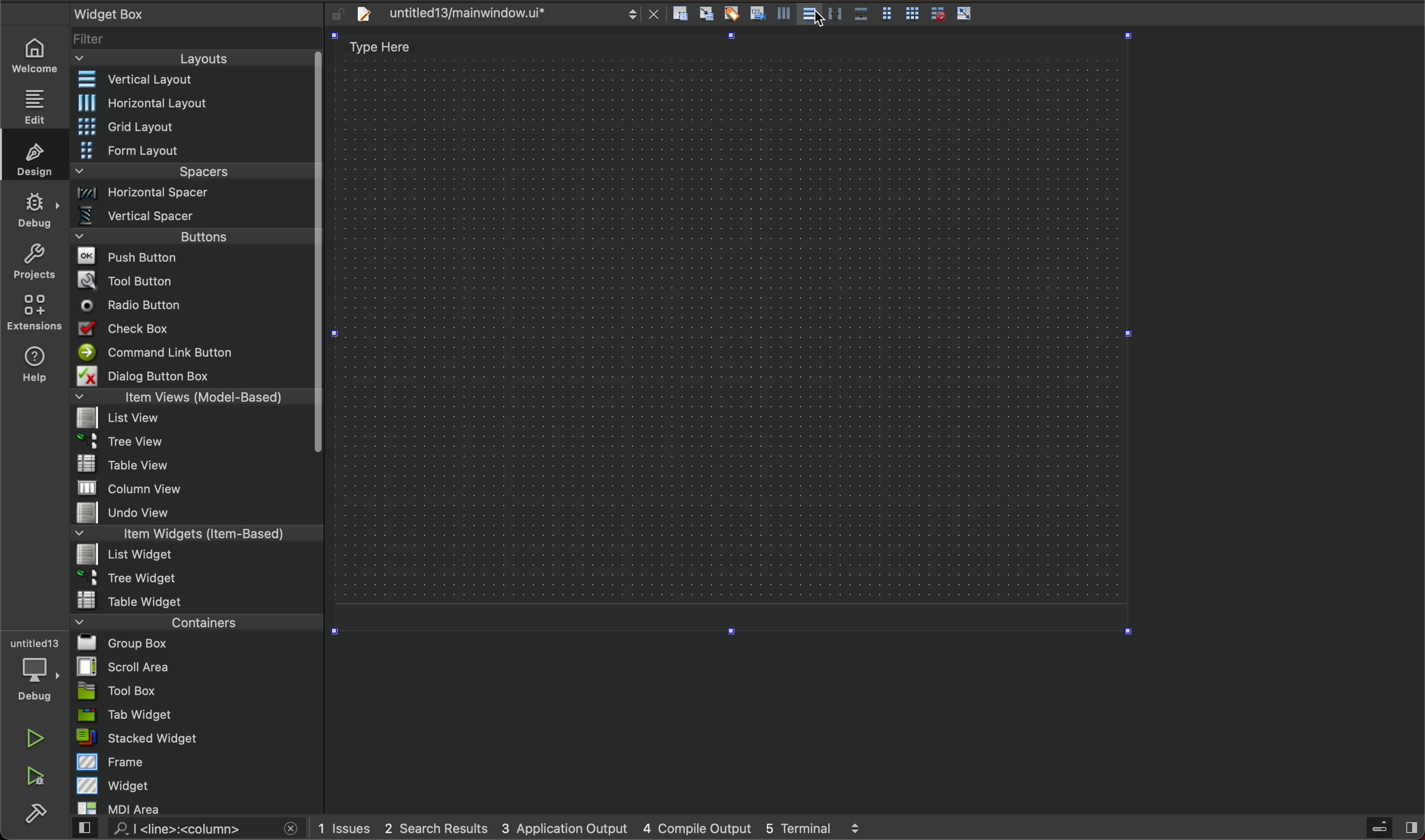  Describe the element at coordinates (36, 312) in the screenshot. I see `extensions` at that location.